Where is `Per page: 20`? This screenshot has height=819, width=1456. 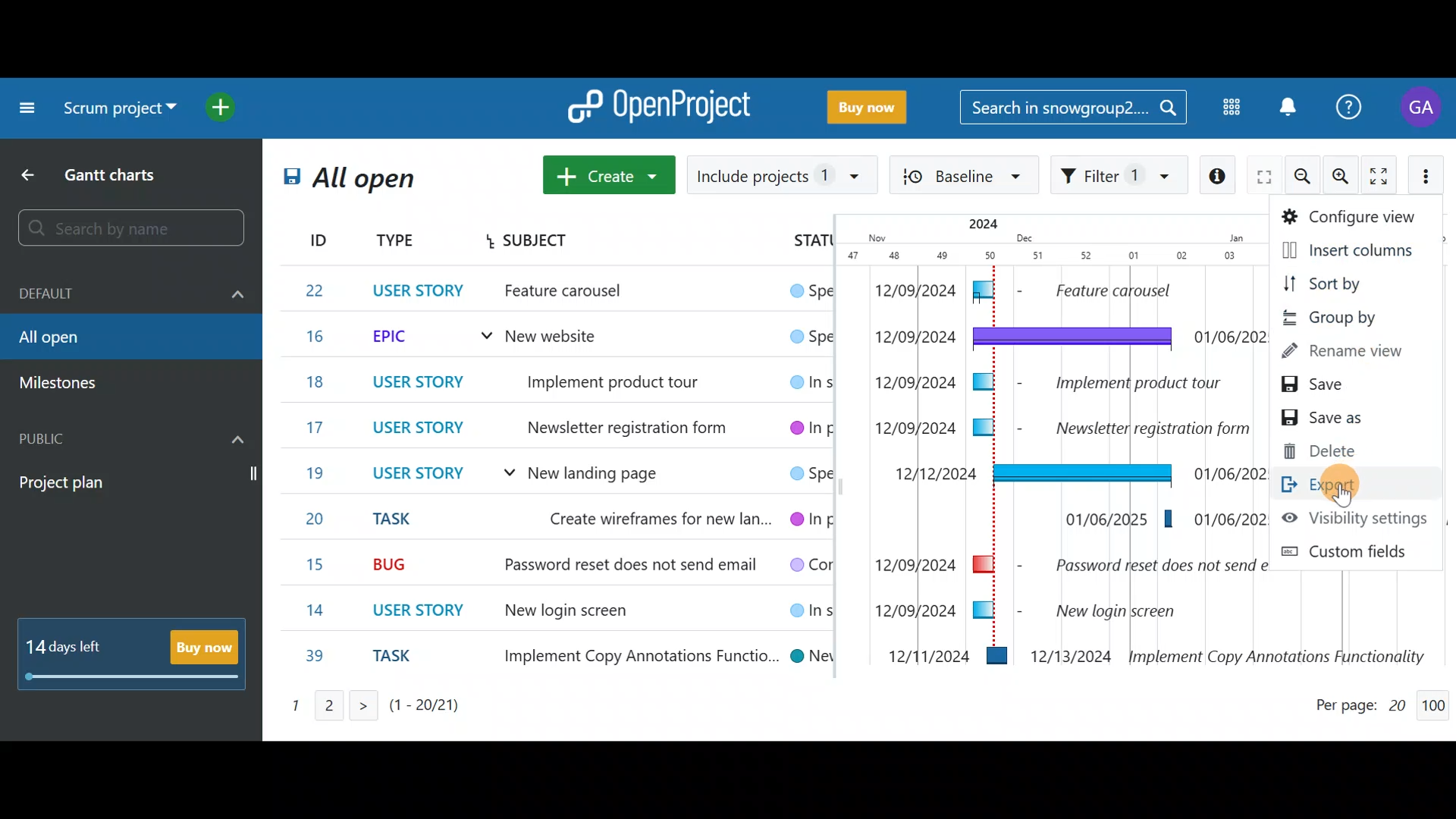
Per page: 20 is located at coordinates (1360, 702).